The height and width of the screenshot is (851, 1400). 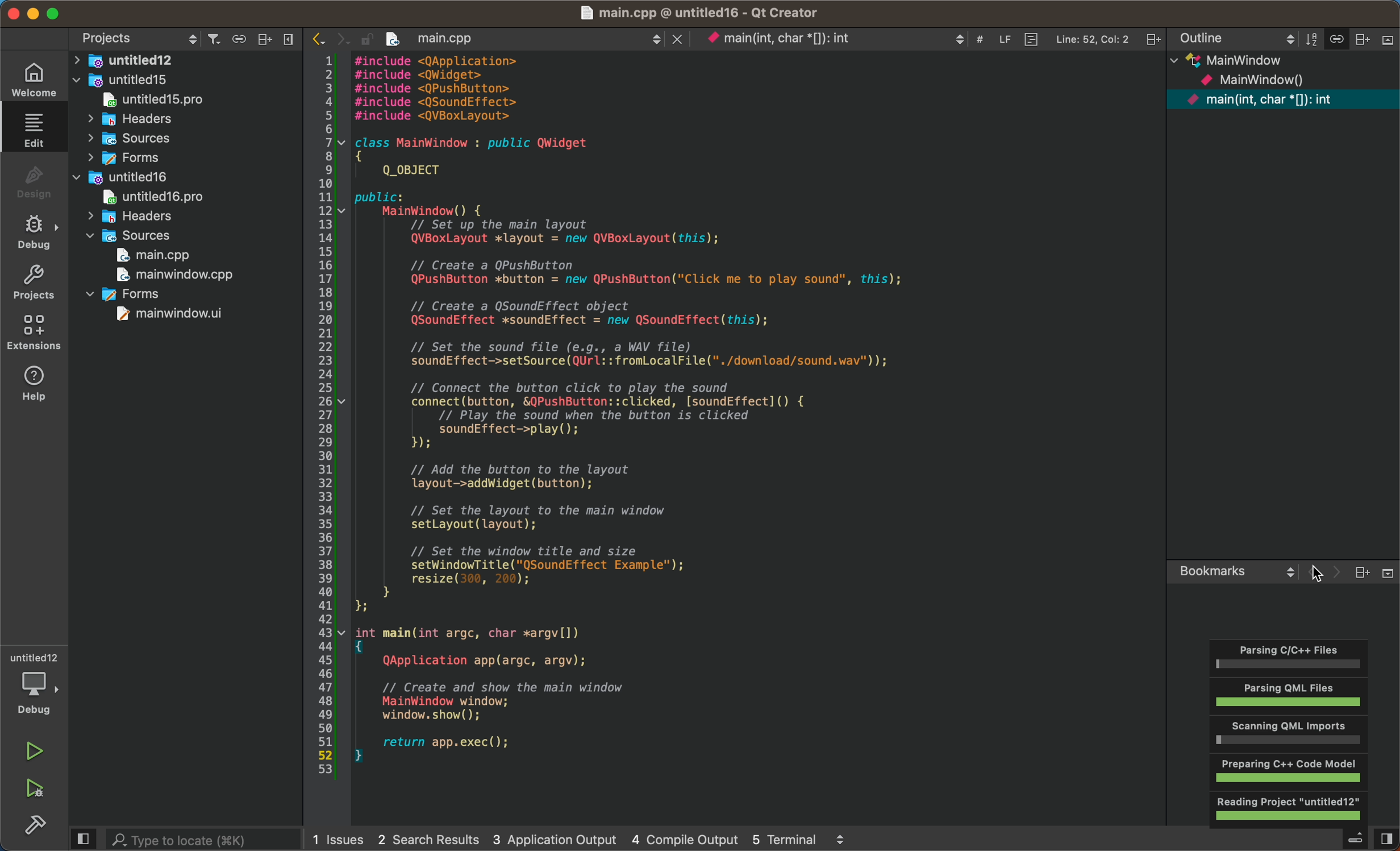 I want to click on help, so click(x=39, y=385).